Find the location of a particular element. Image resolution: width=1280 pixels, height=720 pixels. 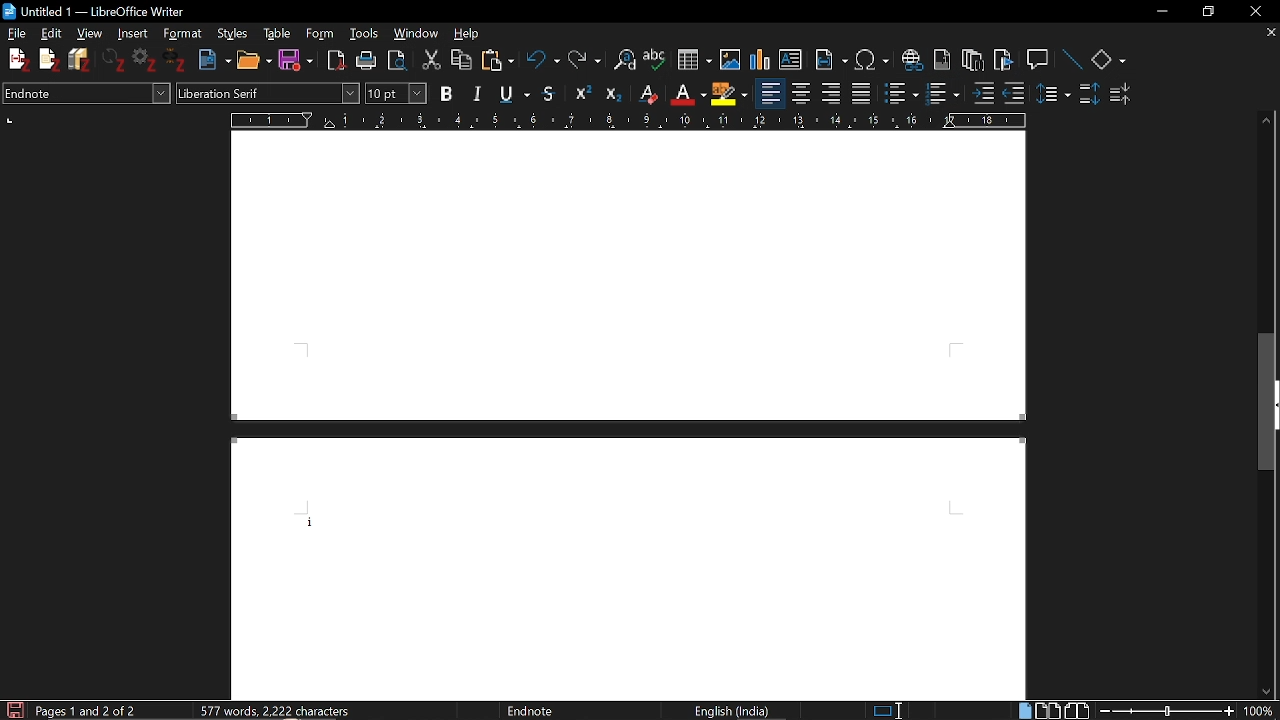

Center is located at coordinates (801, 94).